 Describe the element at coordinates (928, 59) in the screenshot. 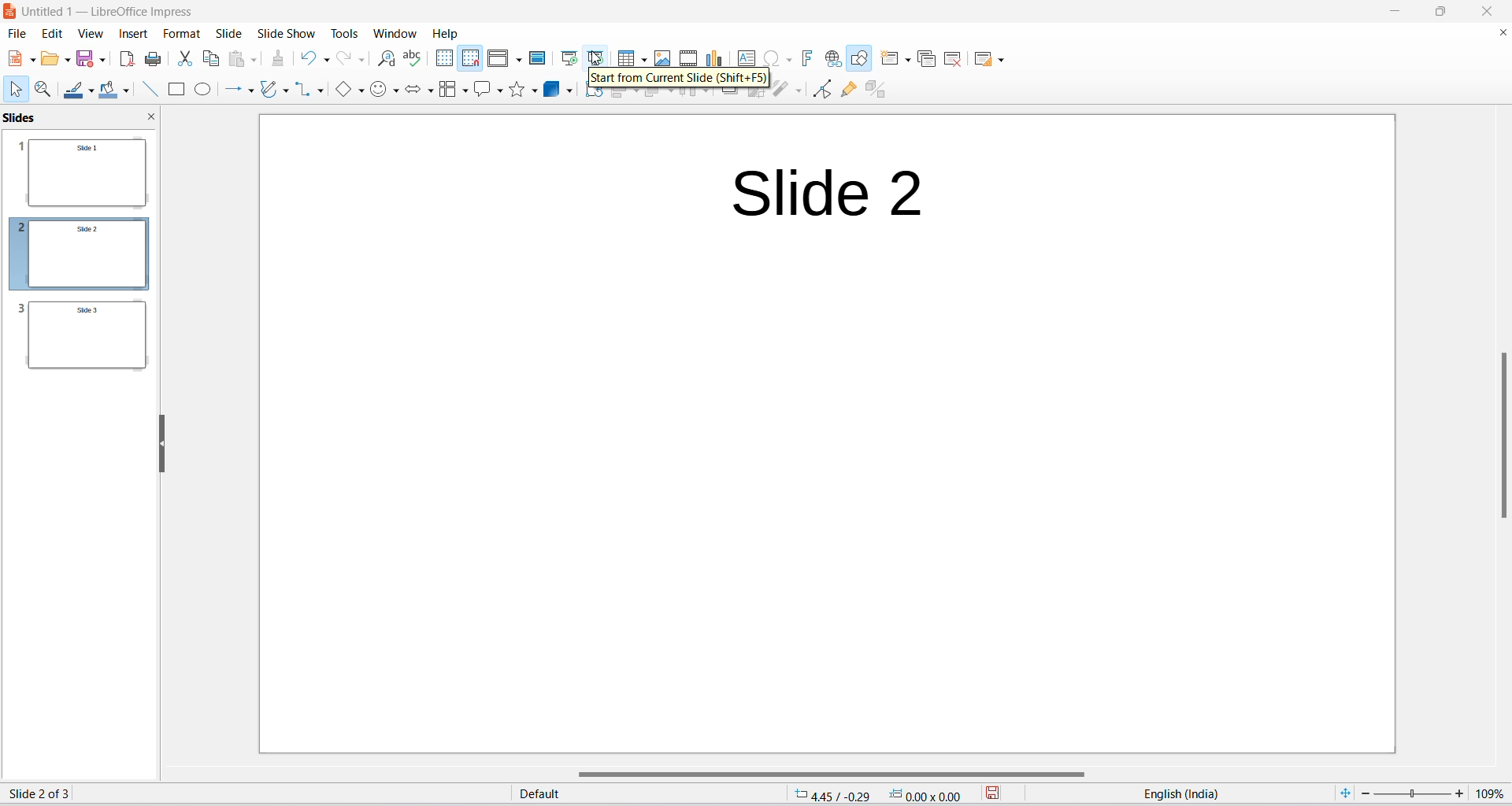

I see `duplicate slide` at that location.